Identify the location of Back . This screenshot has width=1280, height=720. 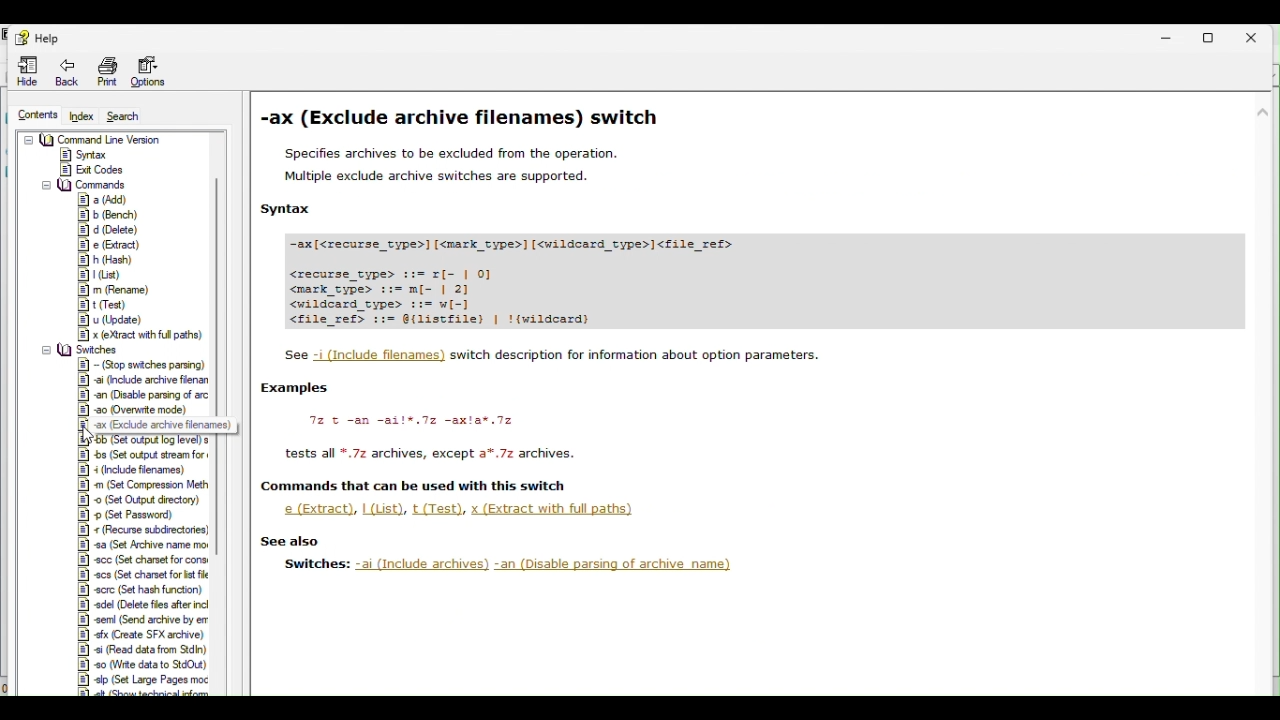
(67, 72).